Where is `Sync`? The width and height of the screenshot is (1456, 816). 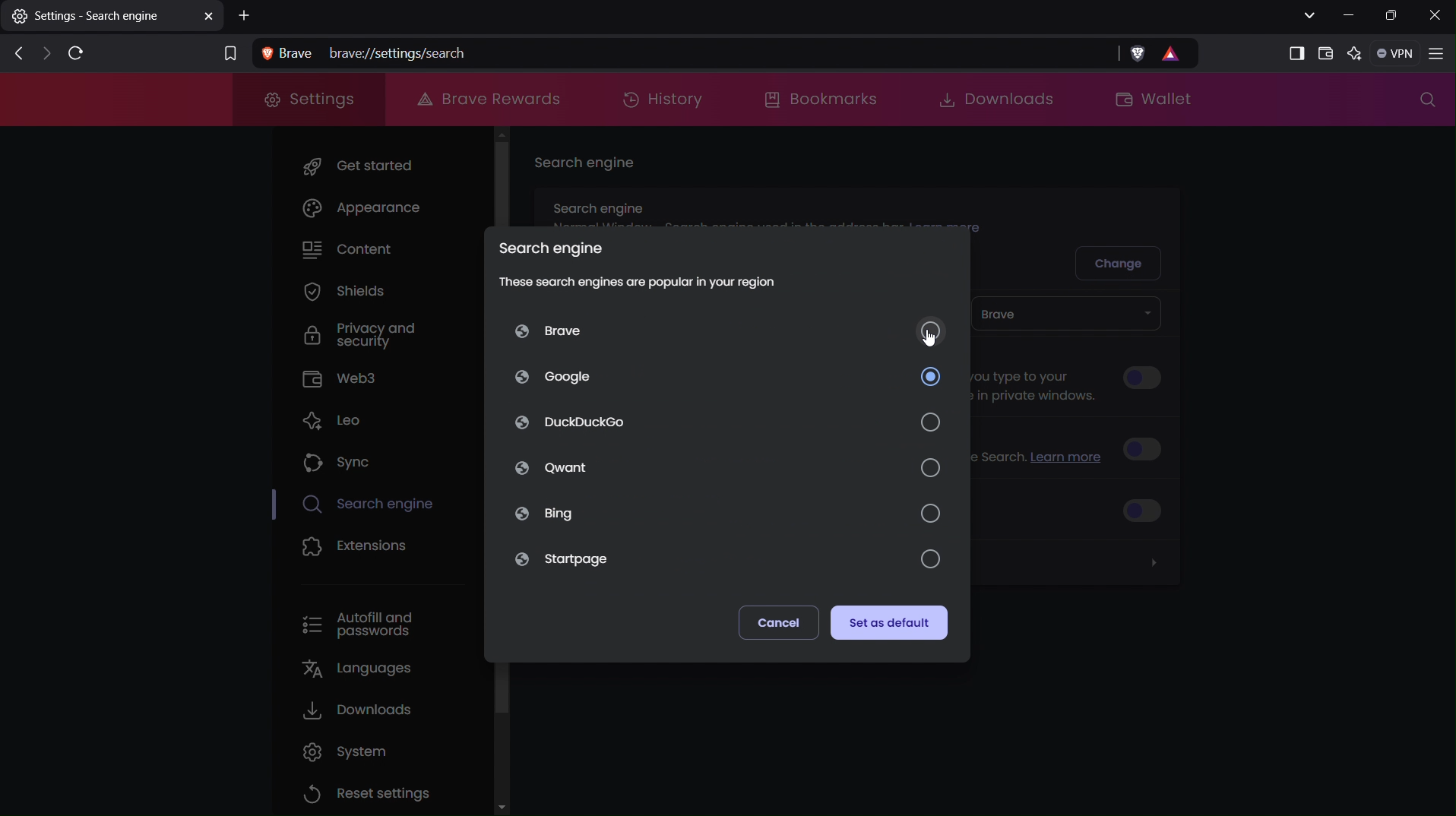 Sync is located at coordinates (339, 461).